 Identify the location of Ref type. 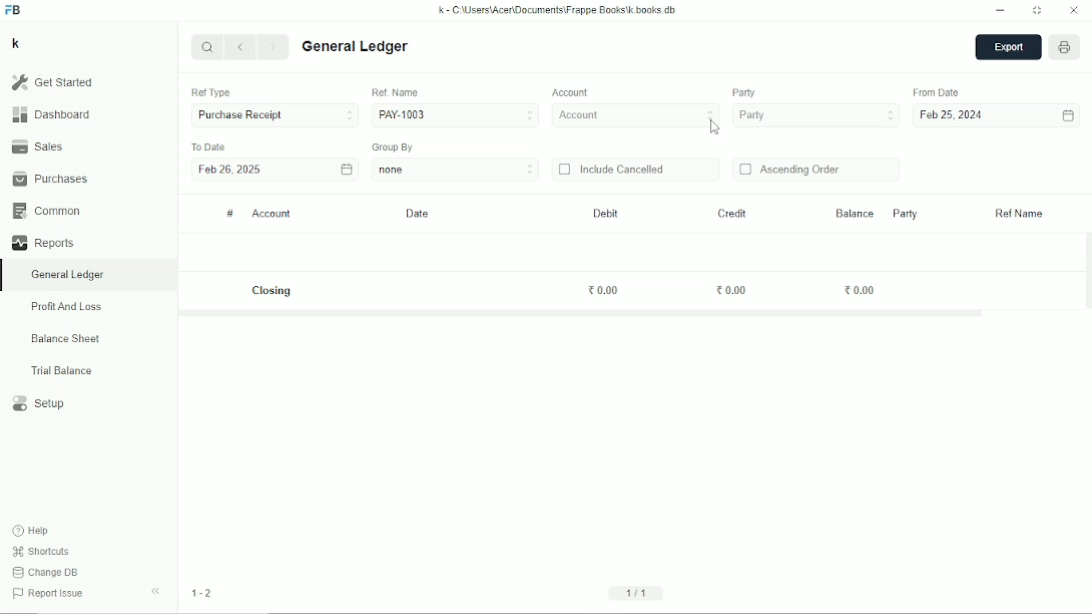
(210, 93).